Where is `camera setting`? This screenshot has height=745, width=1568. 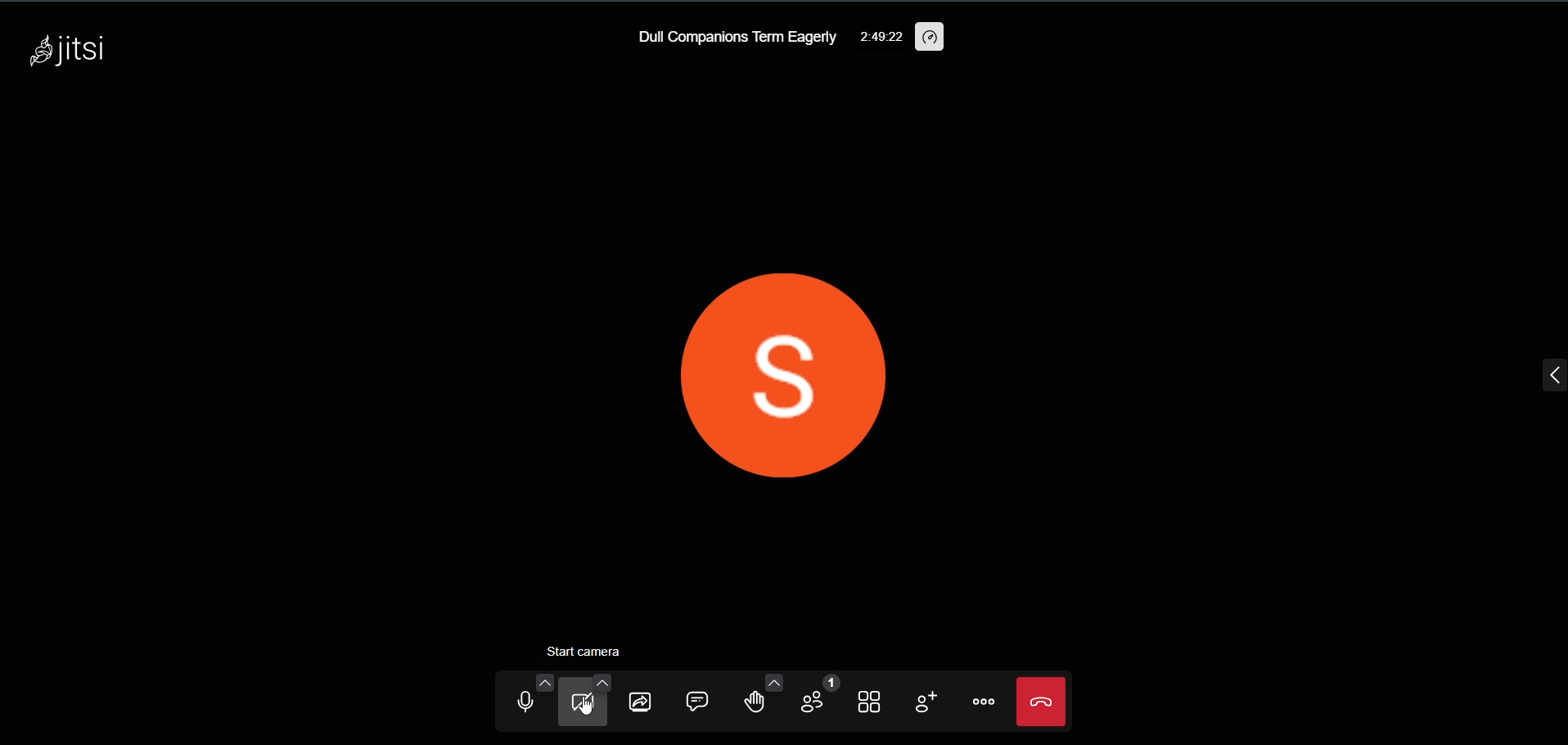 camera setting is located at coordinates (596, 682).